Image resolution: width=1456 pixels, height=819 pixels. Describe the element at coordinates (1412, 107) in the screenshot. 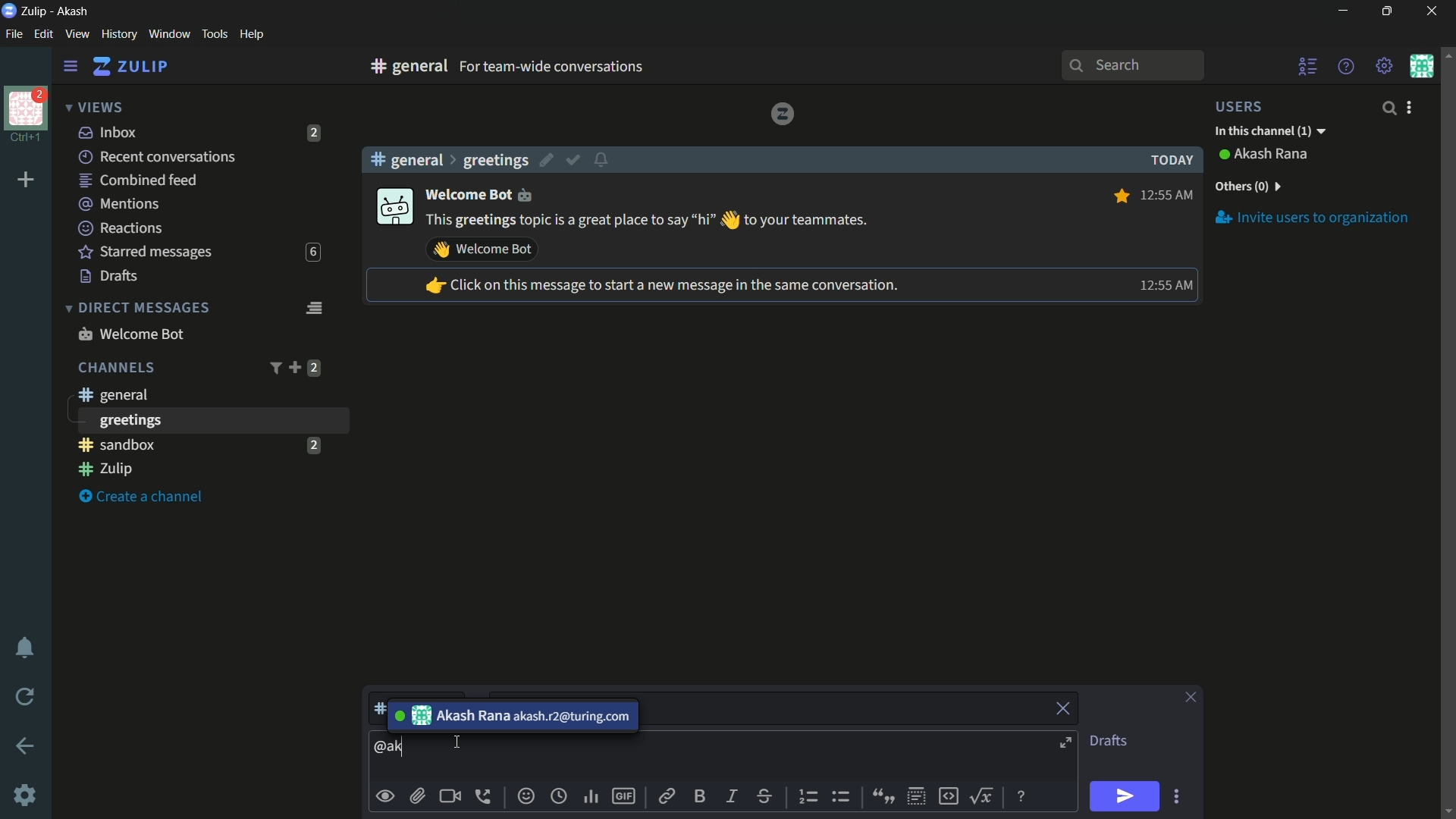

I see `user settings` at that location.